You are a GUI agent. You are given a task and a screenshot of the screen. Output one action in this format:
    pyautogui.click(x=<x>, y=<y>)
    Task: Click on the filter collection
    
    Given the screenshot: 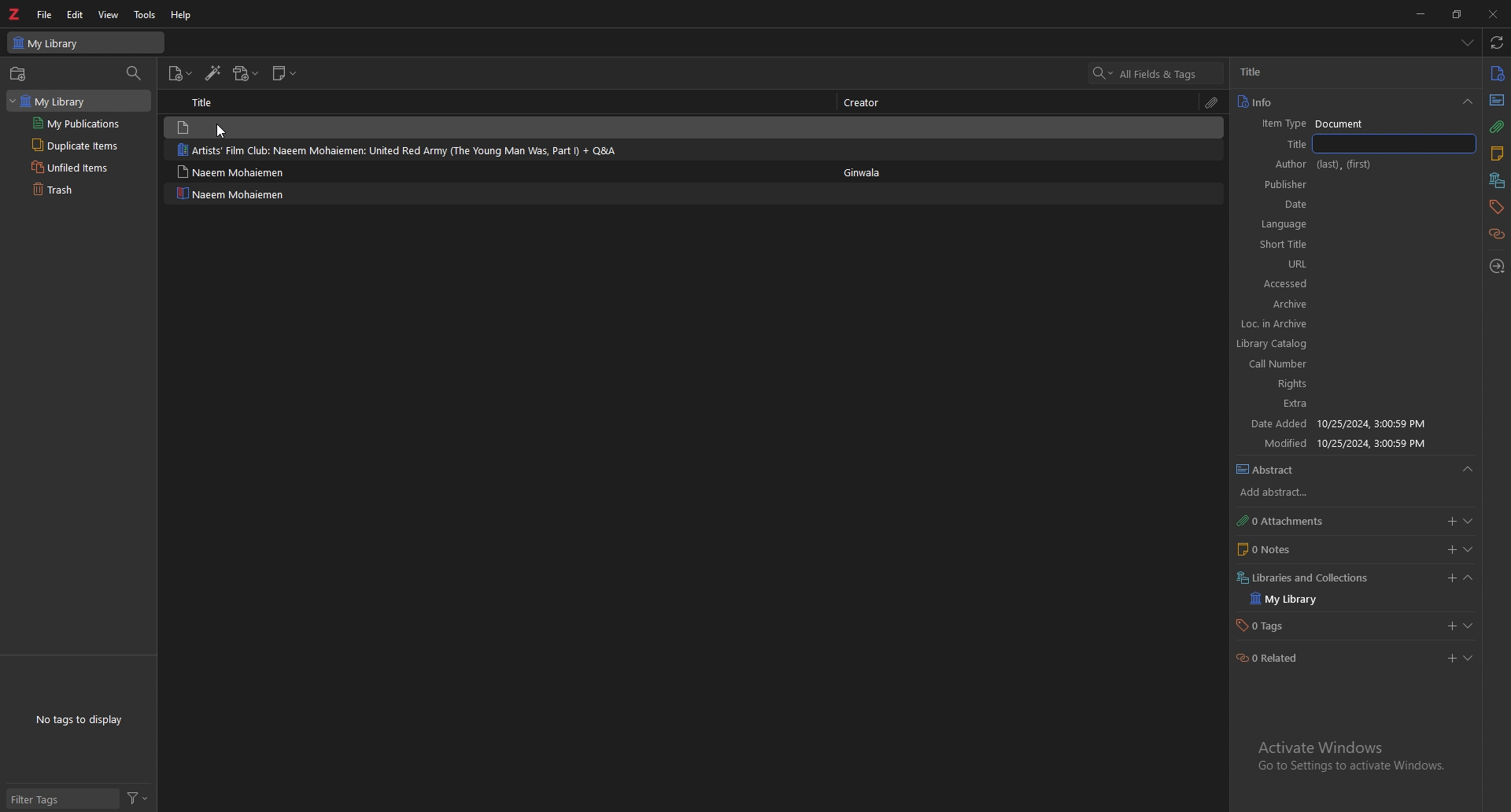 What is the action you would take?
    pyautogui.click(x=135, y=75)
    